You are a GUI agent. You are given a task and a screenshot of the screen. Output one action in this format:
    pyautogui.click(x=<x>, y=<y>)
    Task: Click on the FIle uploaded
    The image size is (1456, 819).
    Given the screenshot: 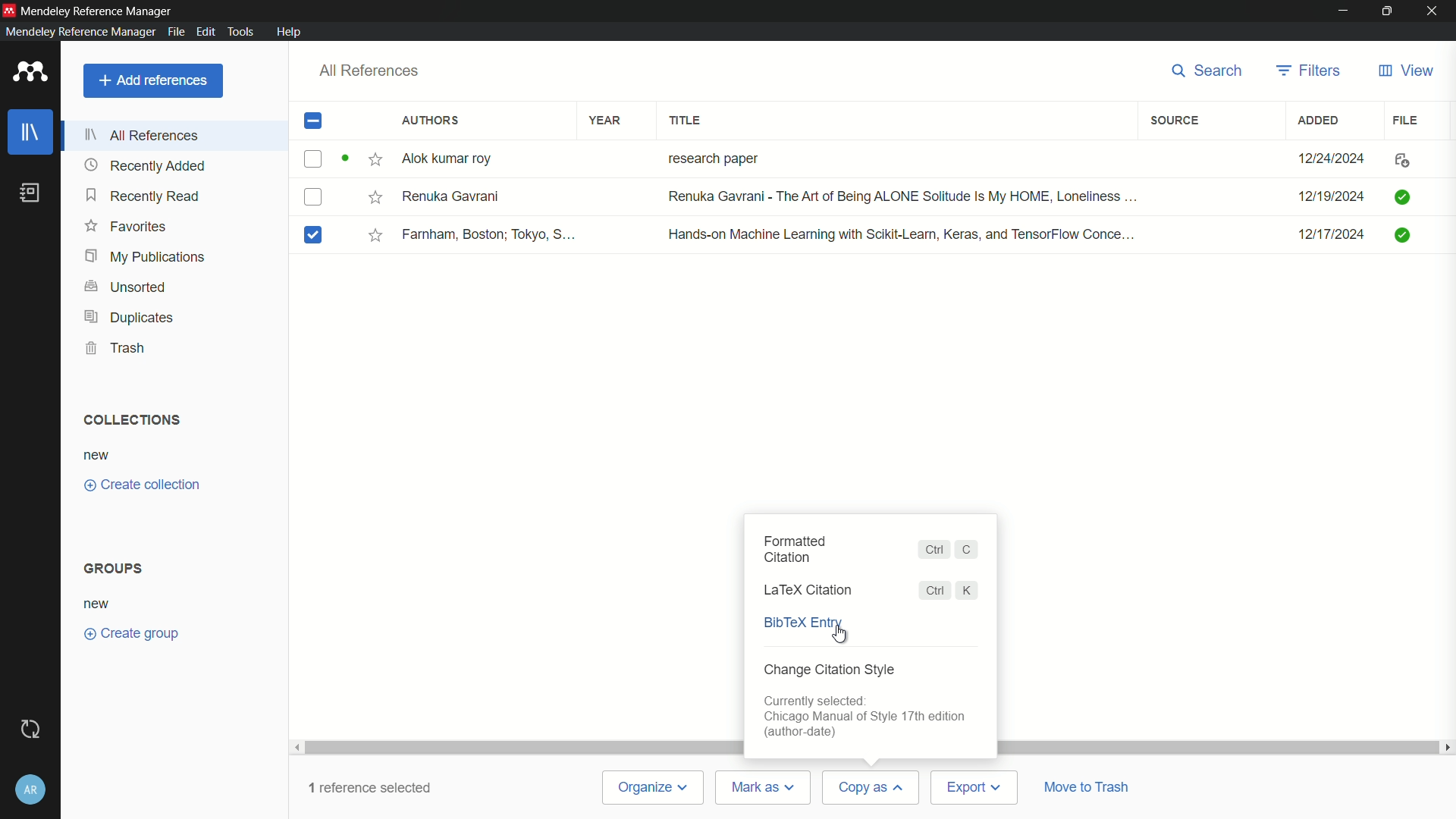 What is the action you would take?
    pyautogui.click(x=1404, y=195)
    